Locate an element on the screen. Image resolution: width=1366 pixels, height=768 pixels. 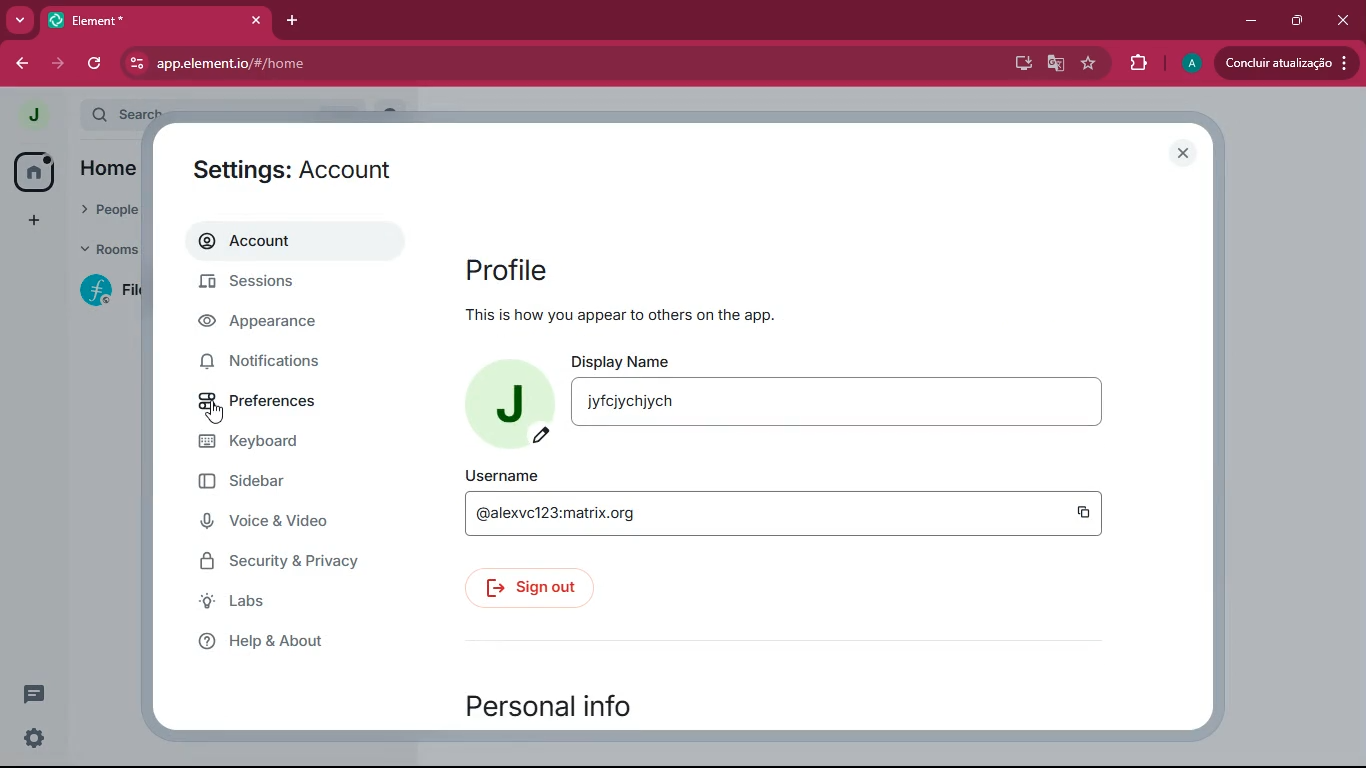
keyboard is located at coordinates (282, 442).